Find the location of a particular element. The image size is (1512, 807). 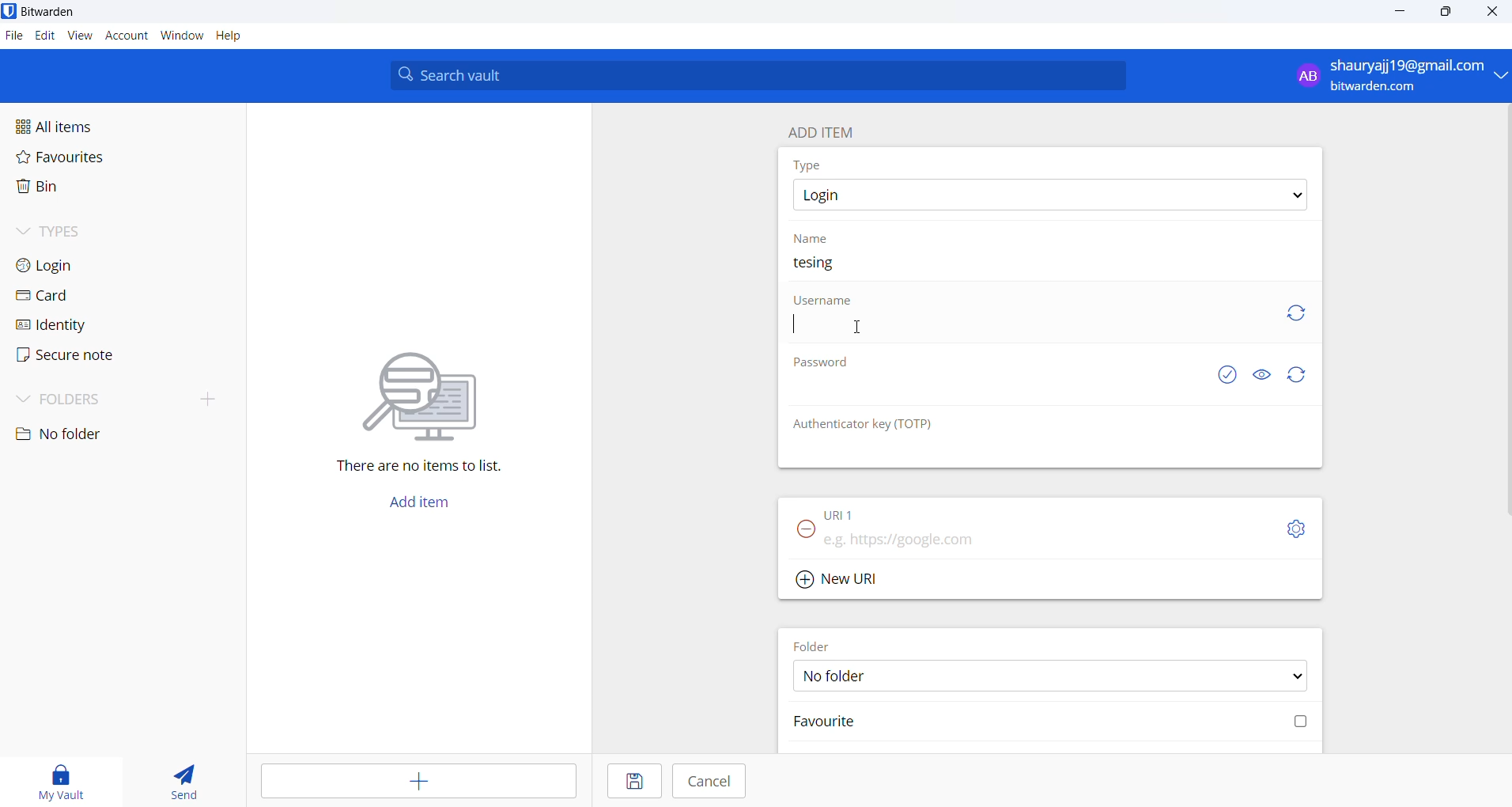

ADD ITEM is located at coordinates (828, 129).